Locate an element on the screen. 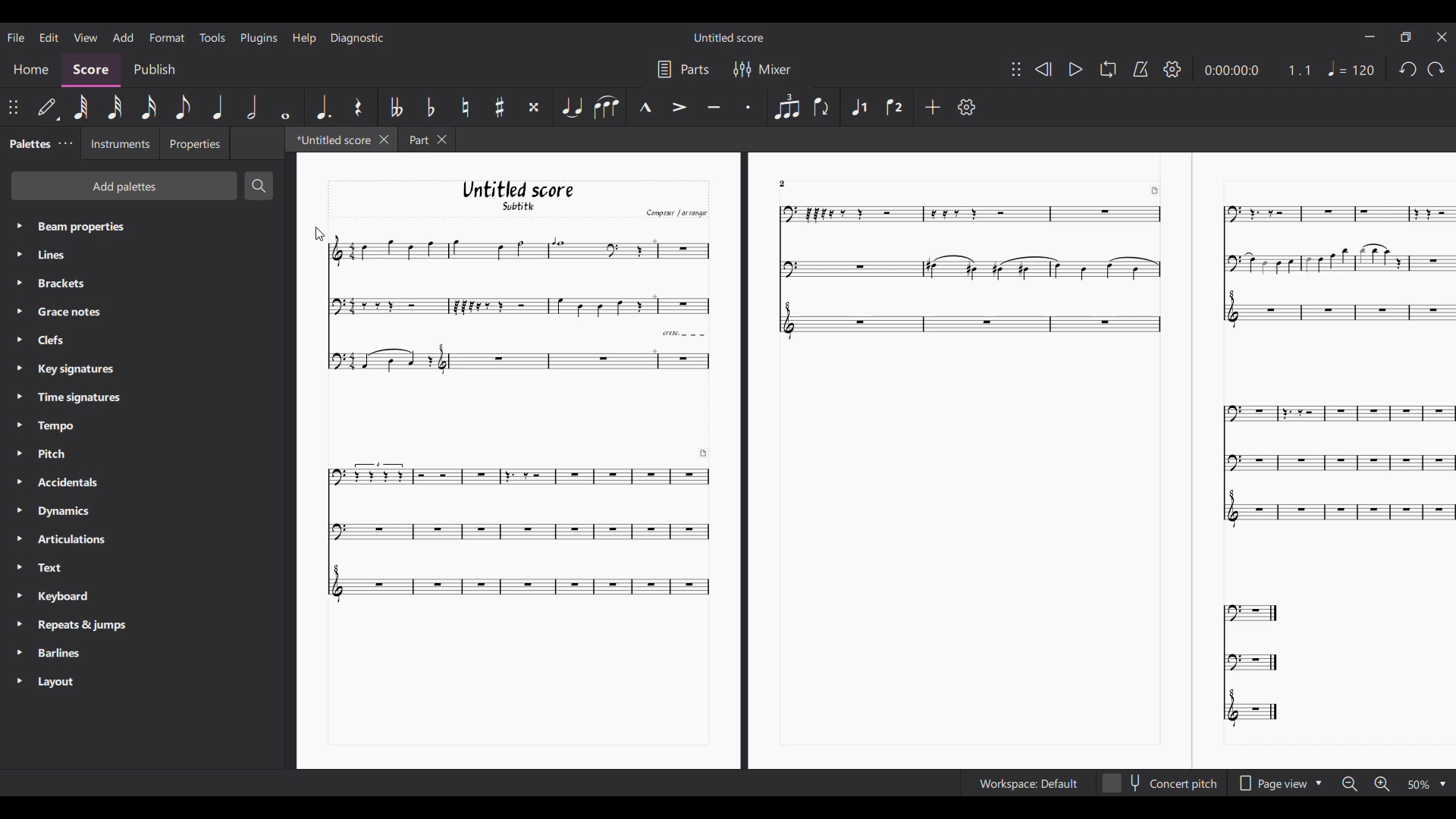 Image resolution: width=1456 pixels, height=819 pixels. Barlines is located at coordinates (62, 654).